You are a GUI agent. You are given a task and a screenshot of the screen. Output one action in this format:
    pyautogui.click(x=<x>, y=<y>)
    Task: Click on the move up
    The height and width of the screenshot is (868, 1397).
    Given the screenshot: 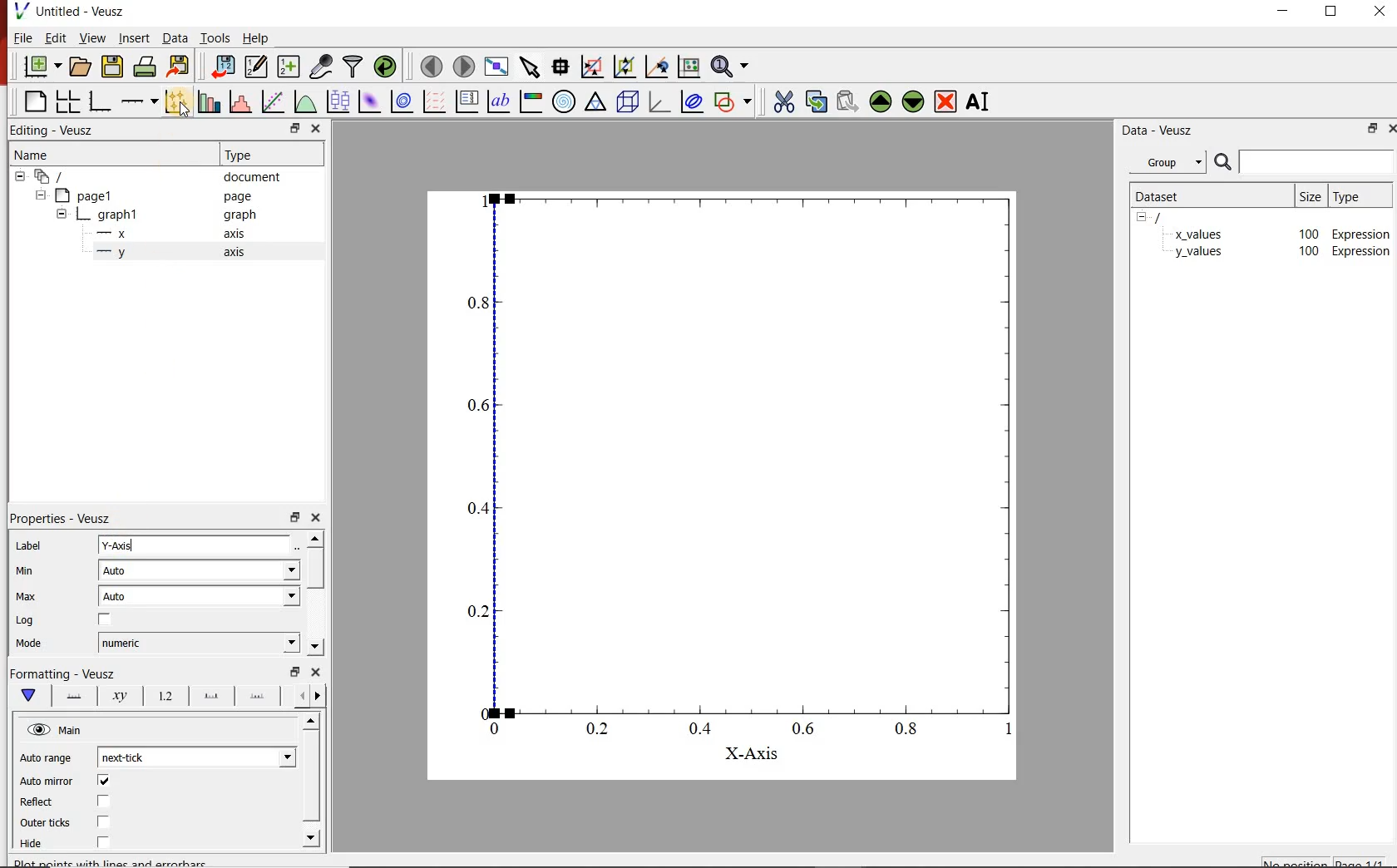 What is the action you would take?
    pyautogui.click(x=313, y=538)
    